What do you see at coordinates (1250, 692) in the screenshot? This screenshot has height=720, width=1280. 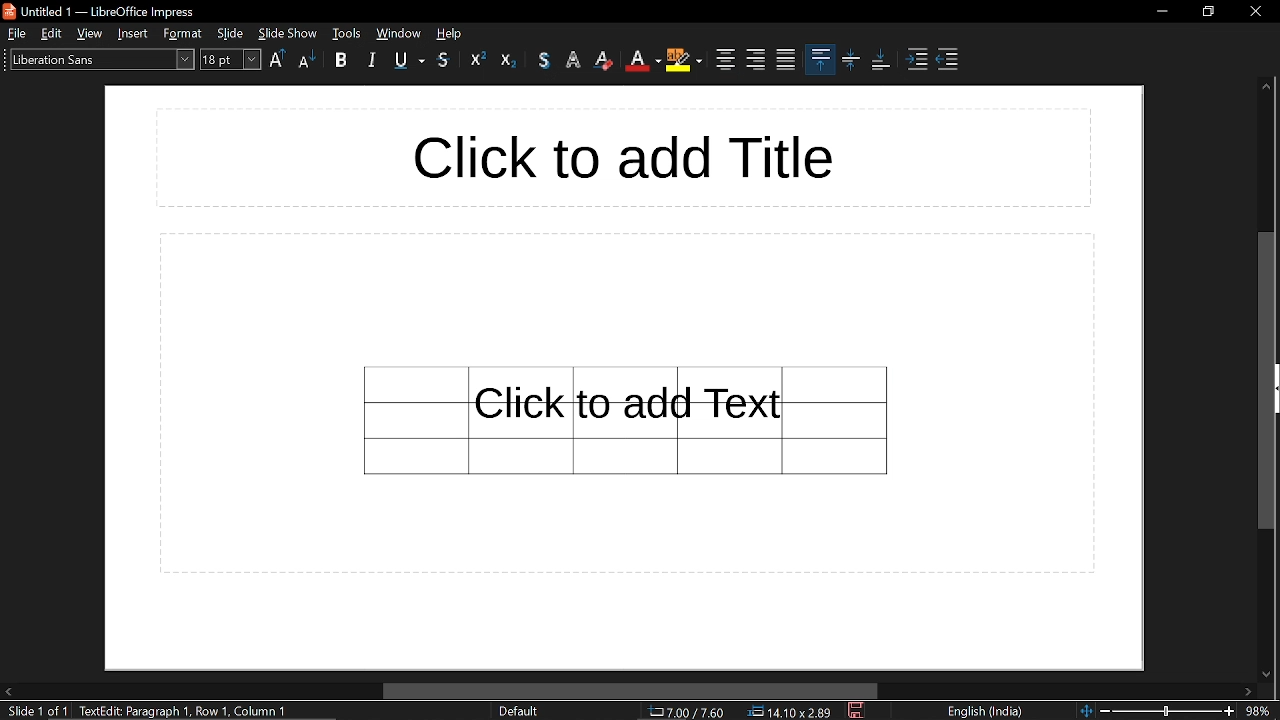 I see `move right` at bounding box center [1250, 692].